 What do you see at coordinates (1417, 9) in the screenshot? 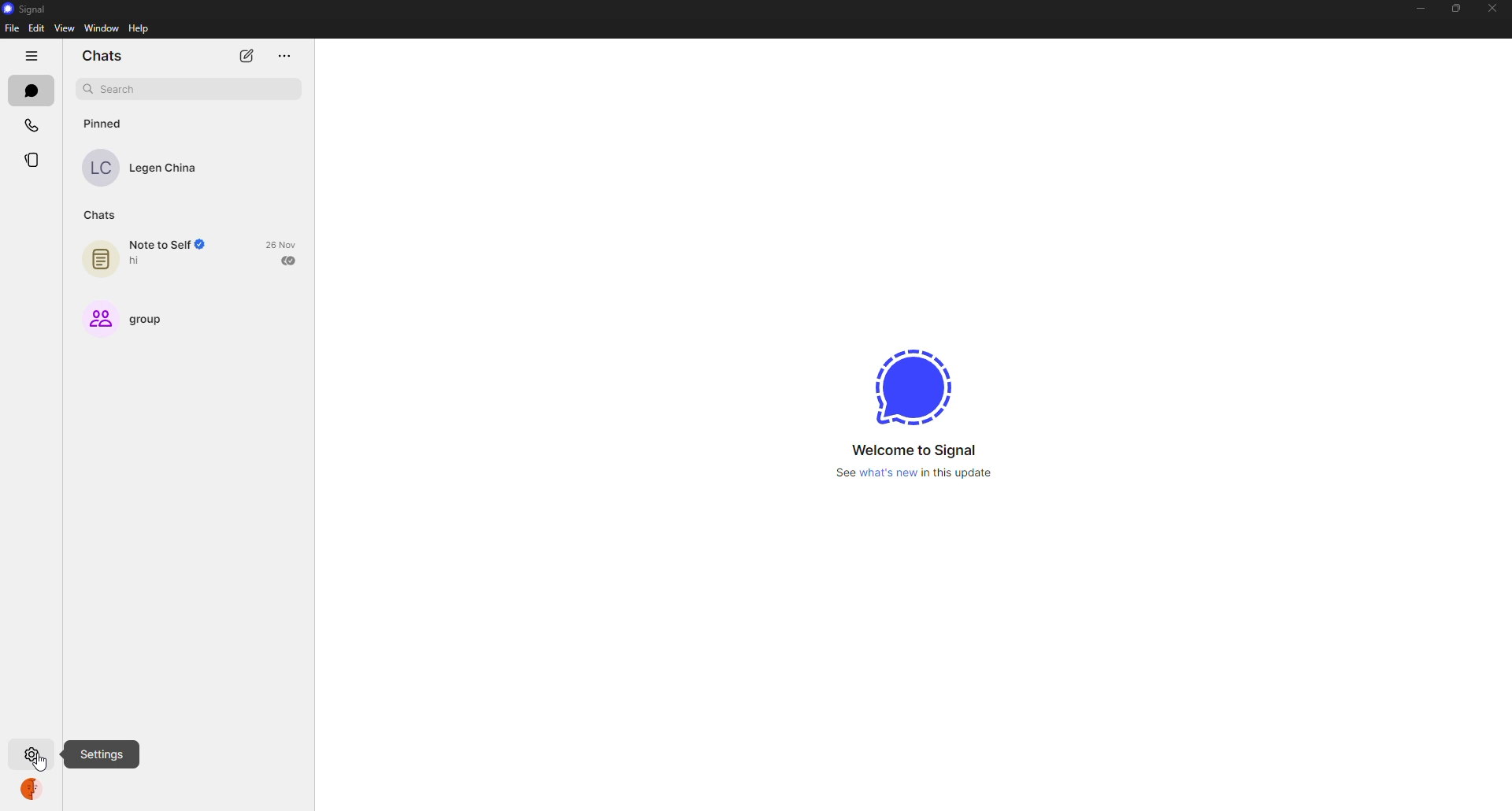
I see `minimize` at bounding box center [1417, 9].